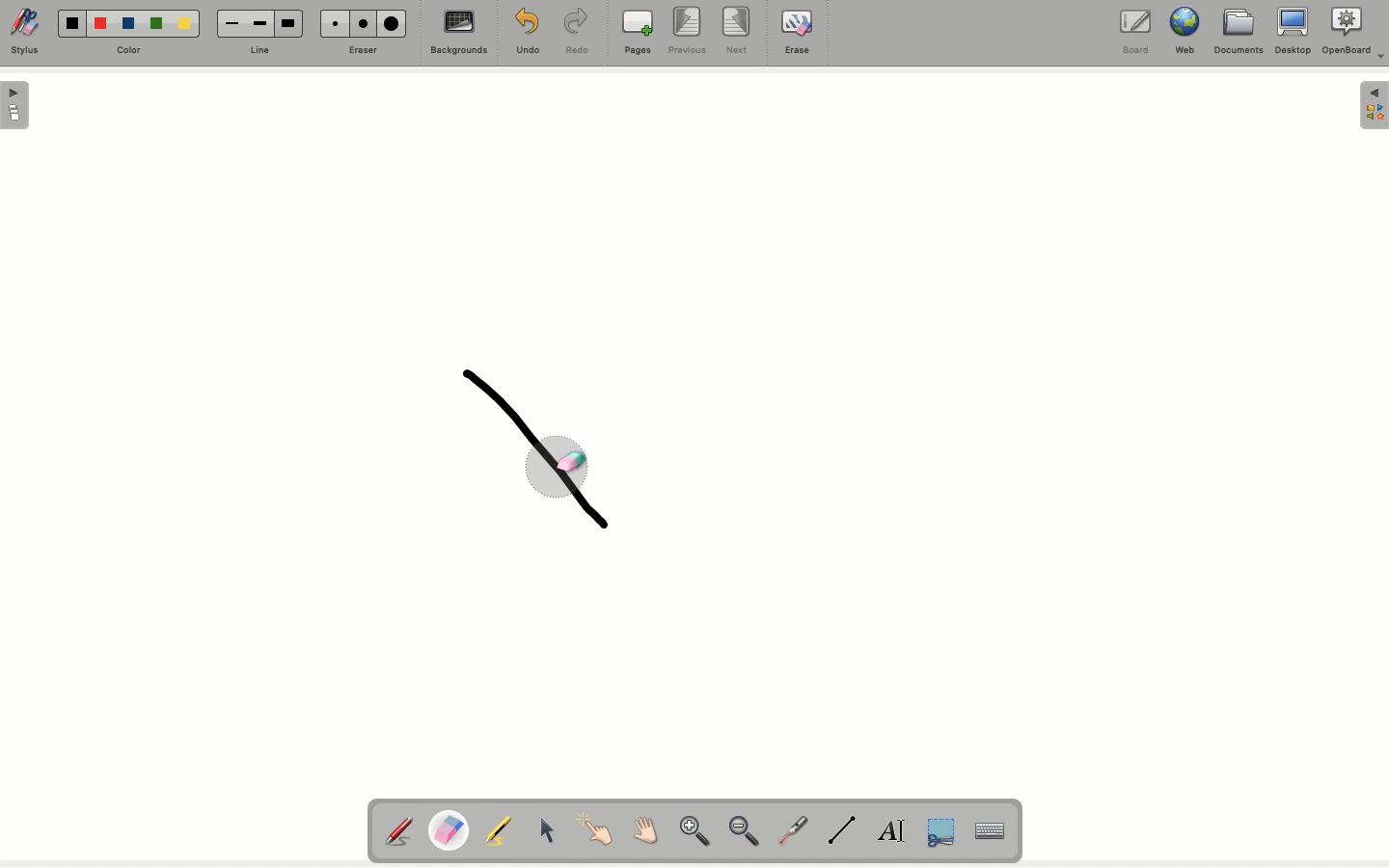 Image resolution: width=1389 pixels, height=868 pixels. Describe the element at coordinates (594, 827) in the screenshot. I see `Point` at that location.